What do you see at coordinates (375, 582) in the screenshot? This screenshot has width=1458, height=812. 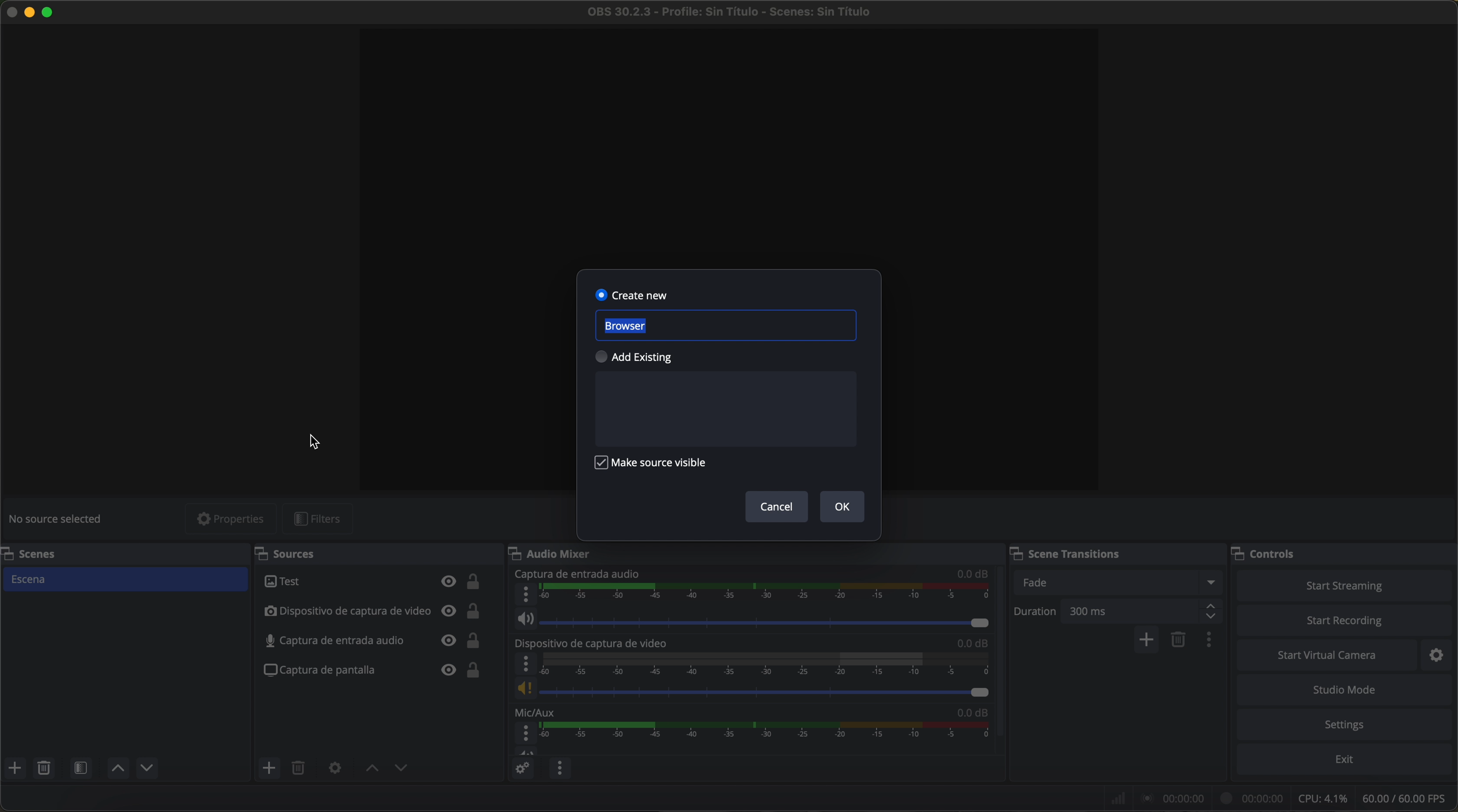 I see `test` at bounding box center [375, 582].